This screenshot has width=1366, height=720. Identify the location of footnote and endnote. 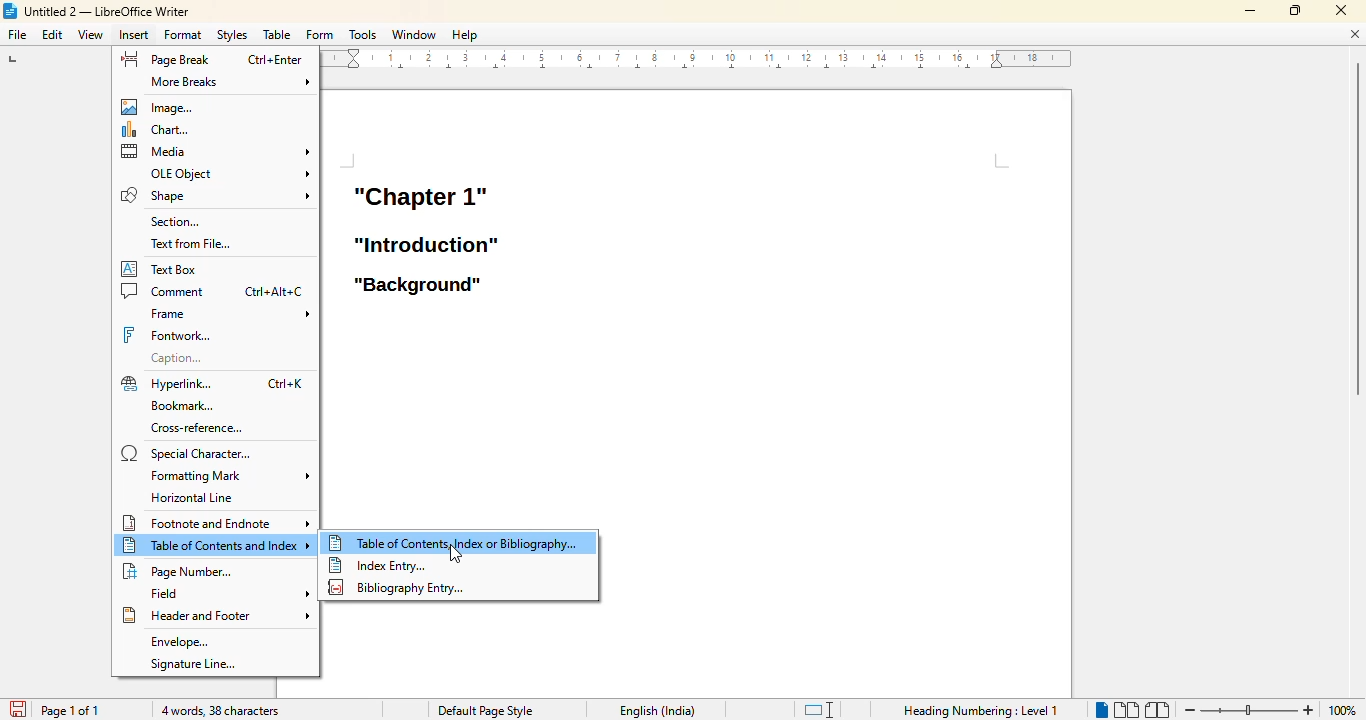
(218, 523).